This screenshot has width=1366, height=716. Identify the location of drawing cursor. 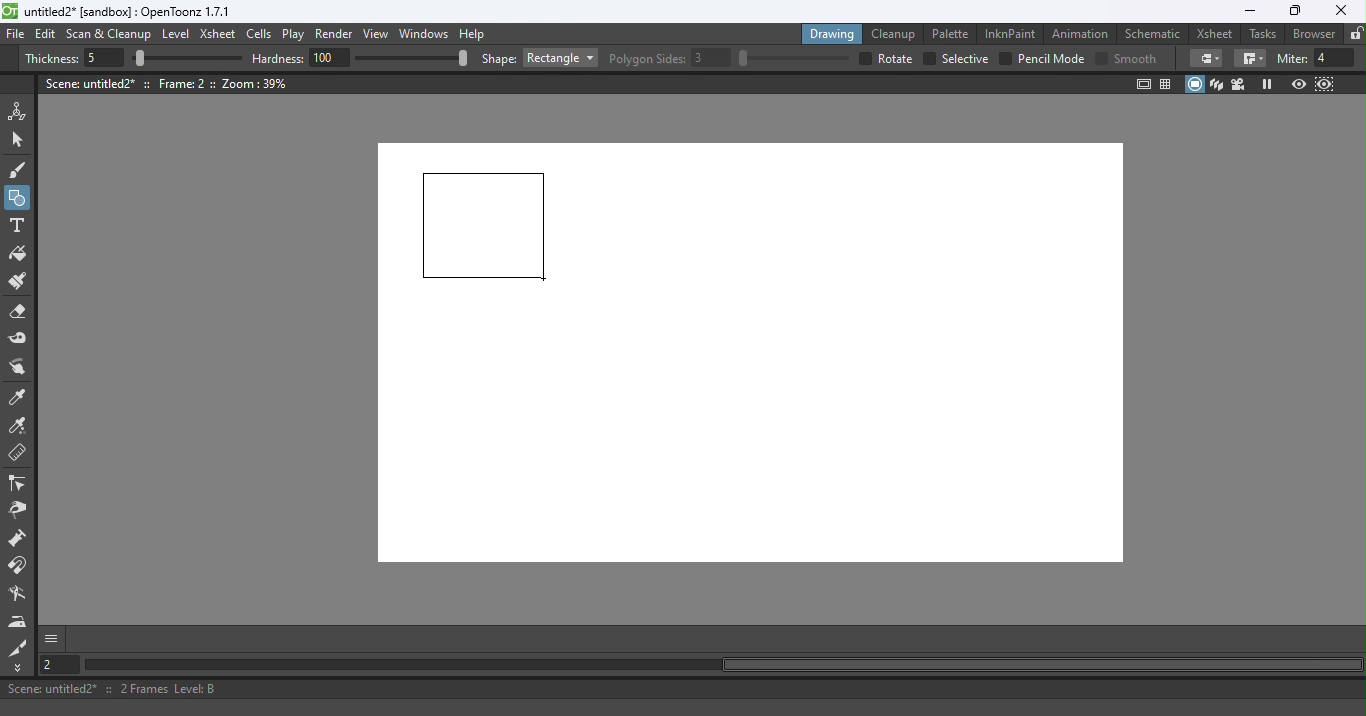
(547, 280).